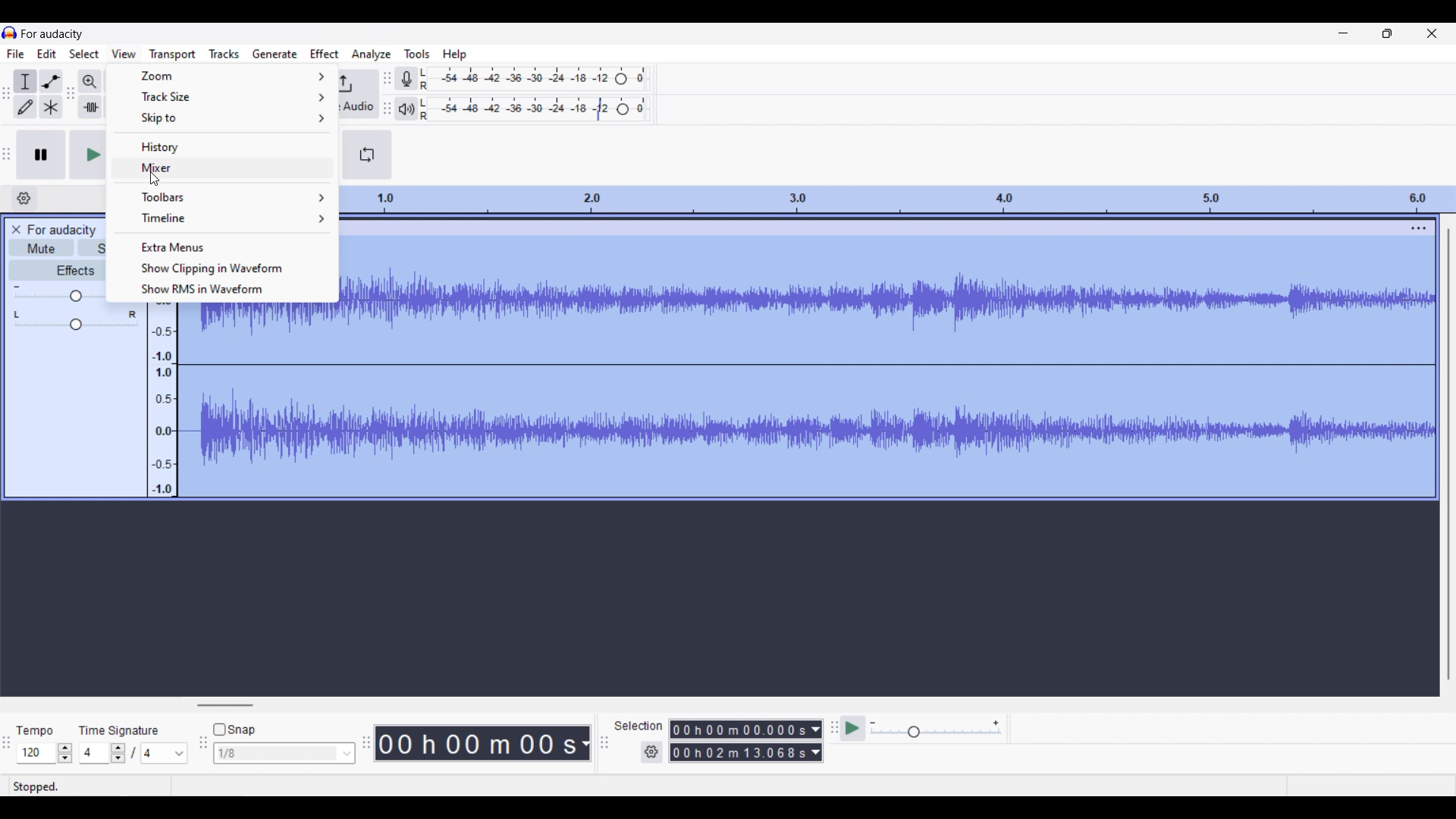  I want to click on Duration measurement, so click(585, 743).